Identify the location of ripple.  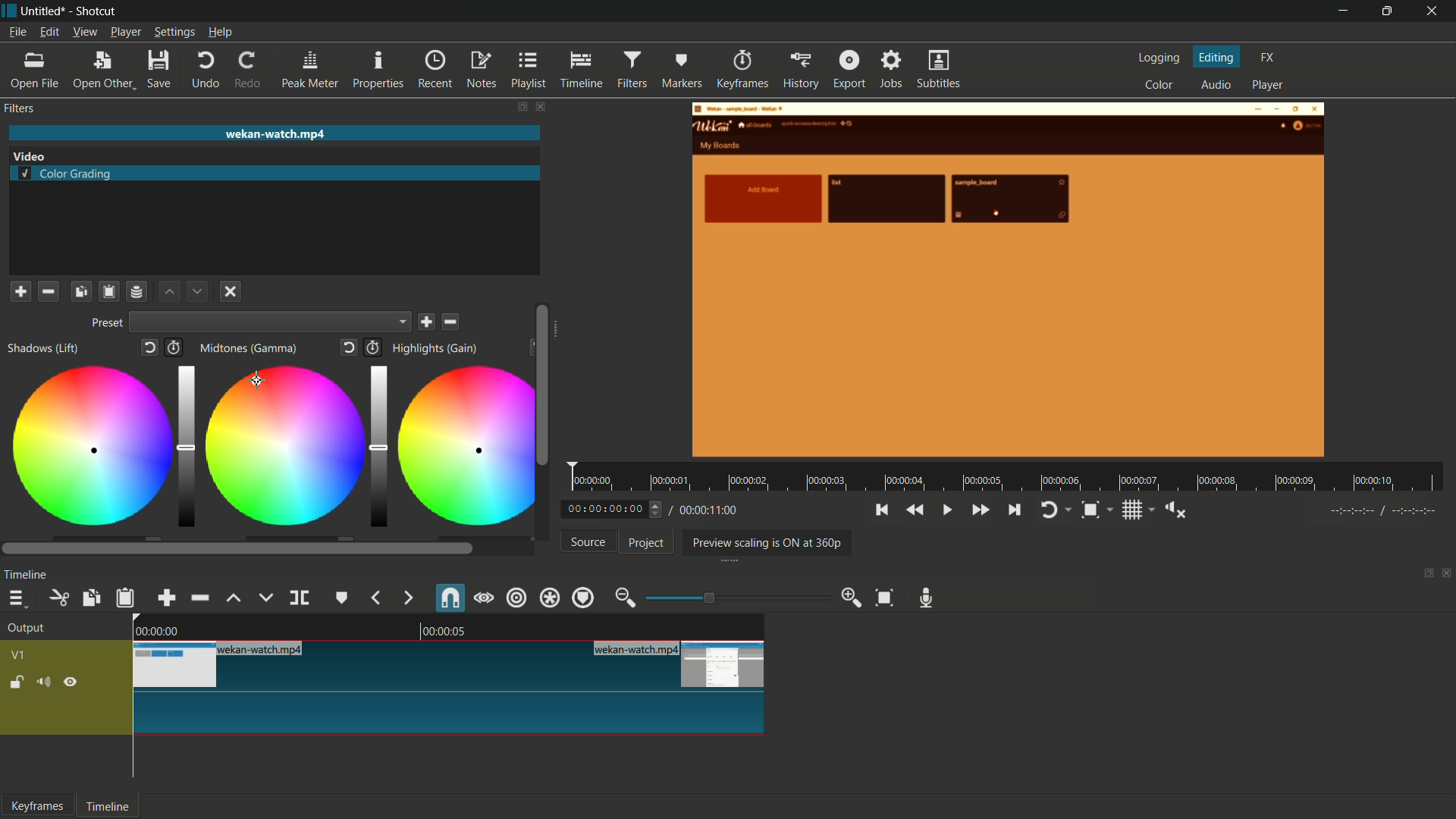
(516, 598).